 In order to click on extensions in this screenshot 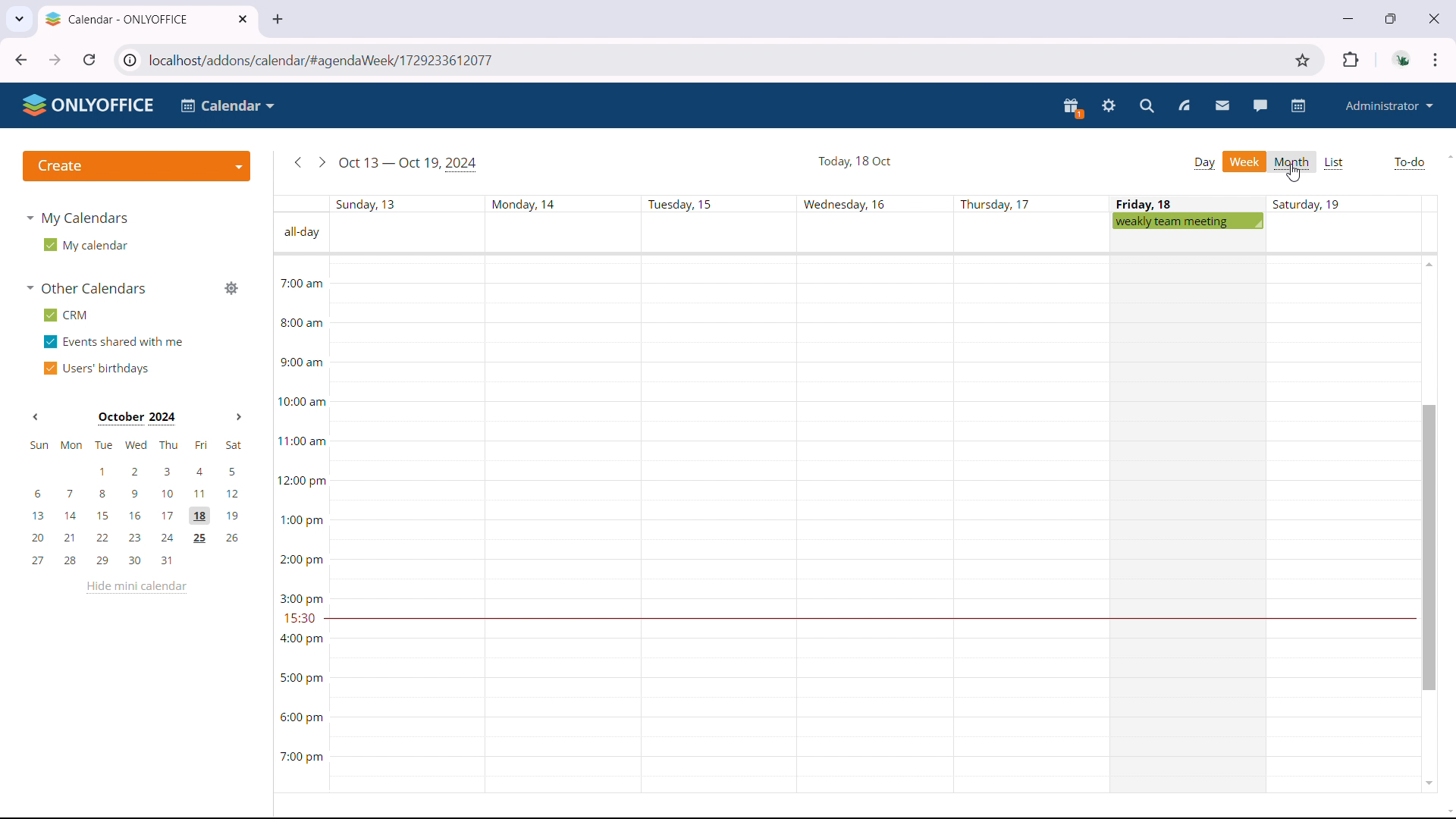, I will do `click(1351, 59)`.